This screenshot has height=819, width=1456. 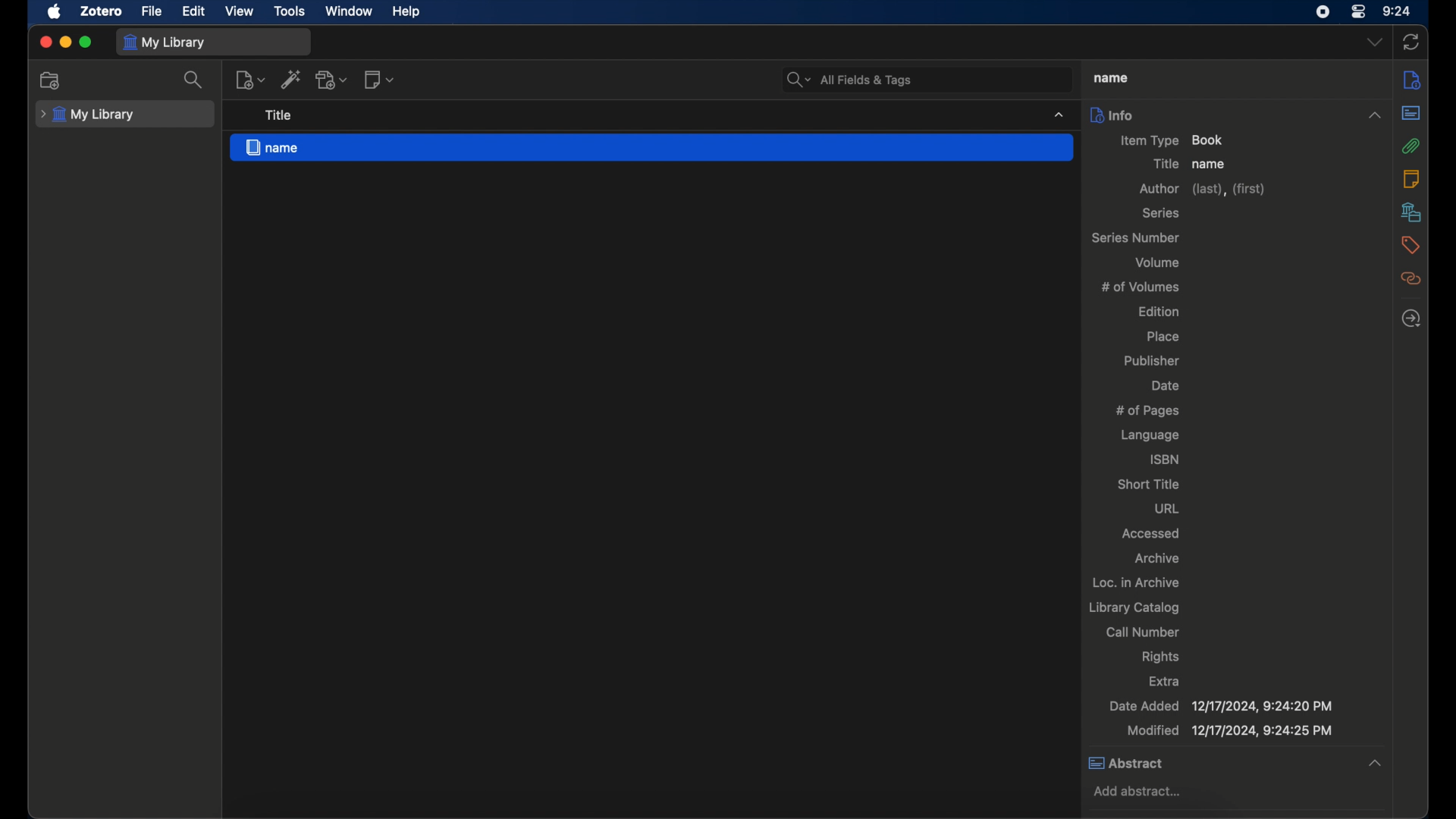 What do you see at coordinates (333, 80) in the screenshot?
I see `add attachment` at bounding box center [333, 80].